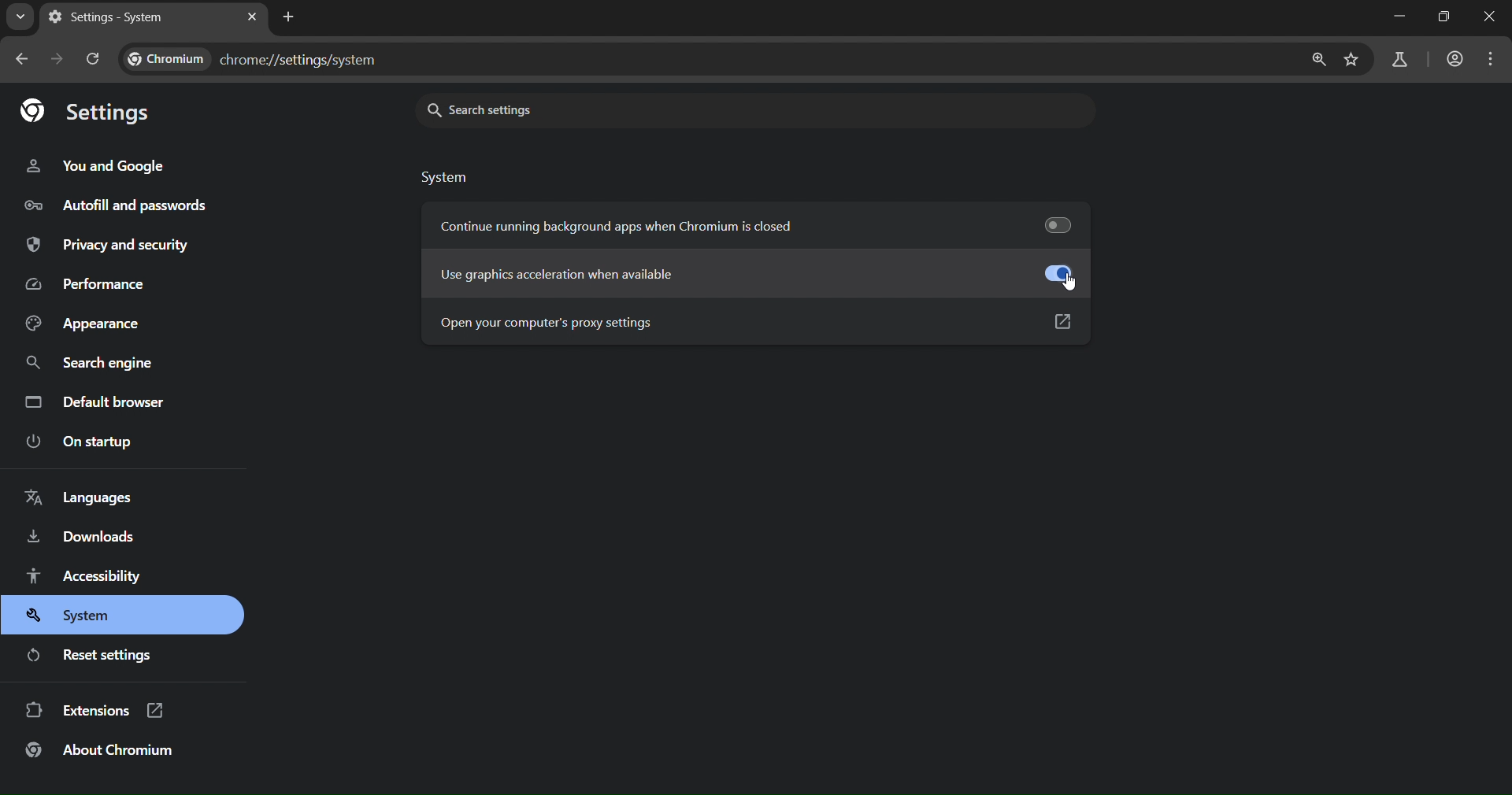 This screenshot has height=795, width=1512. What do you see at coordinates (95, 109) in the screenshot?
I see `settings` at bounding box center [95, 109].